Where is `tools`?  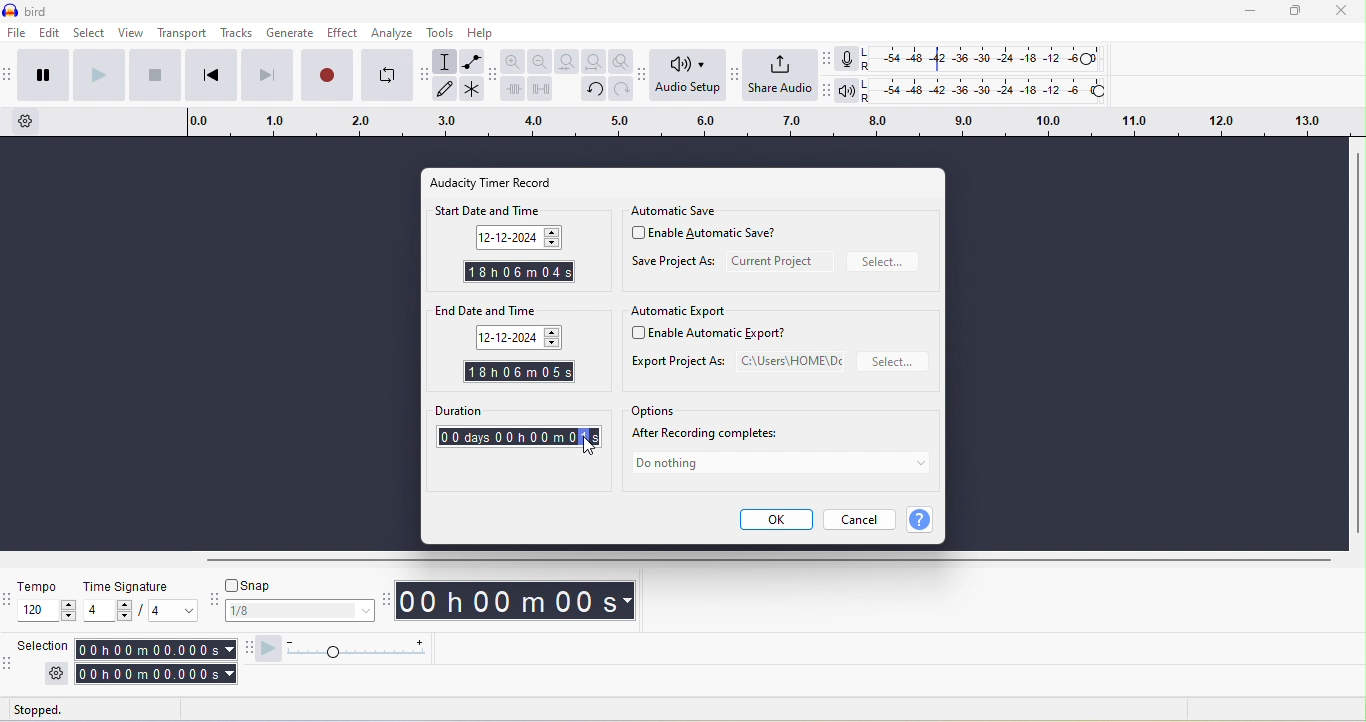
tools is located at coordinates (439, 34).